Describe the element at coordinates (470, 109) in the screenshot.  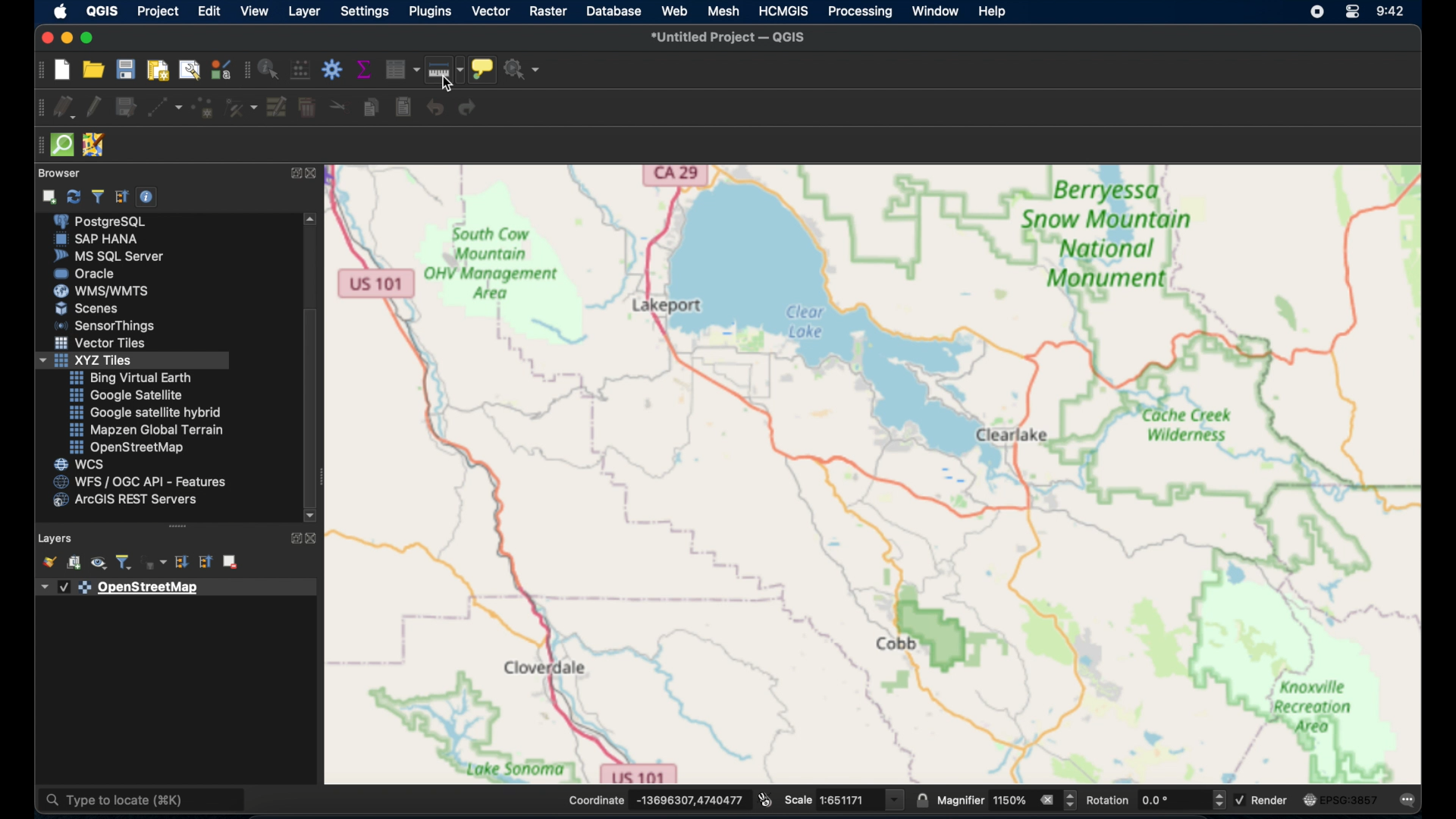
I see `redo` at that location.